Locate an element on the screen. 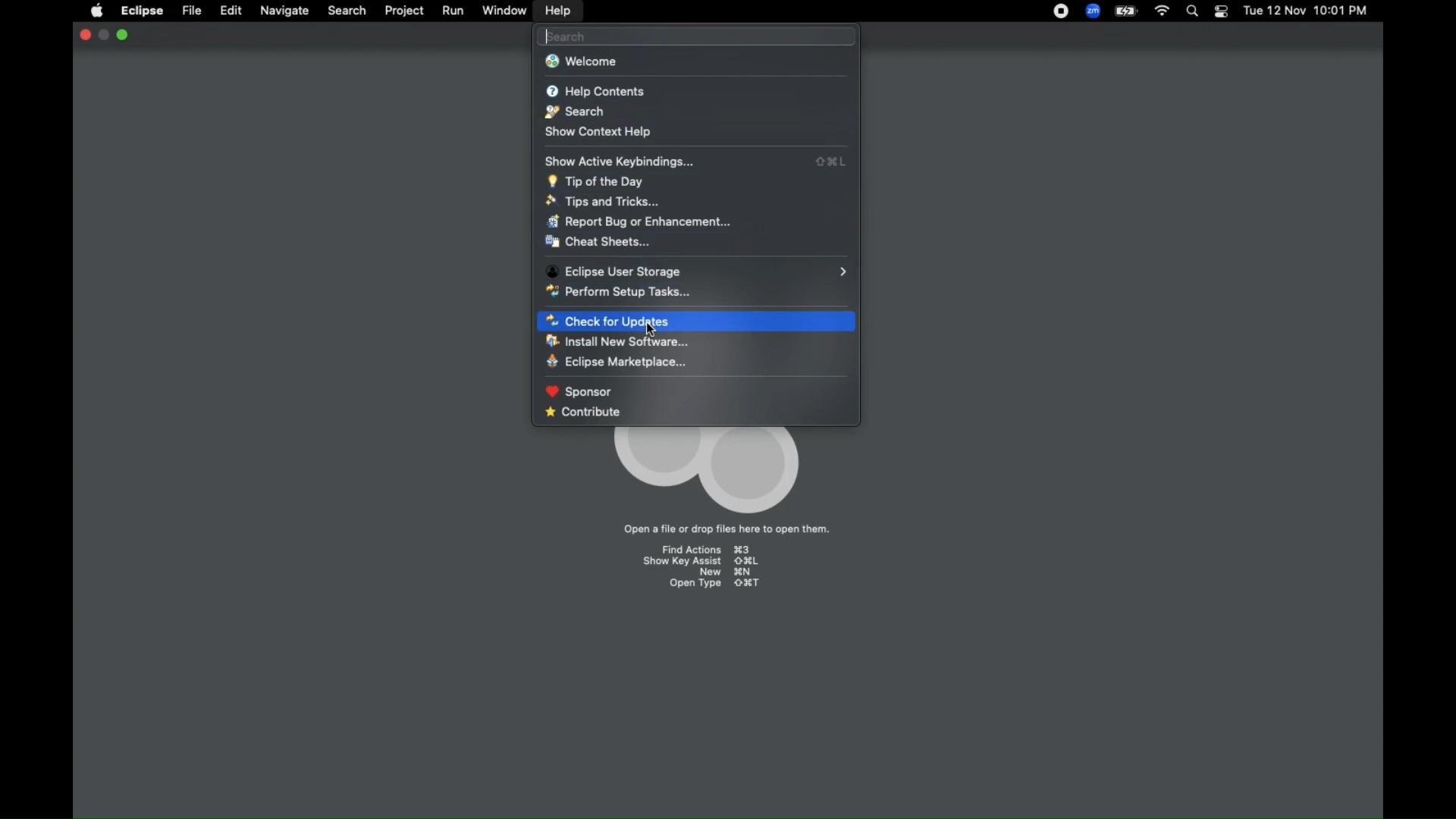  Cheat Sheets is located at coordinates (695, 243).